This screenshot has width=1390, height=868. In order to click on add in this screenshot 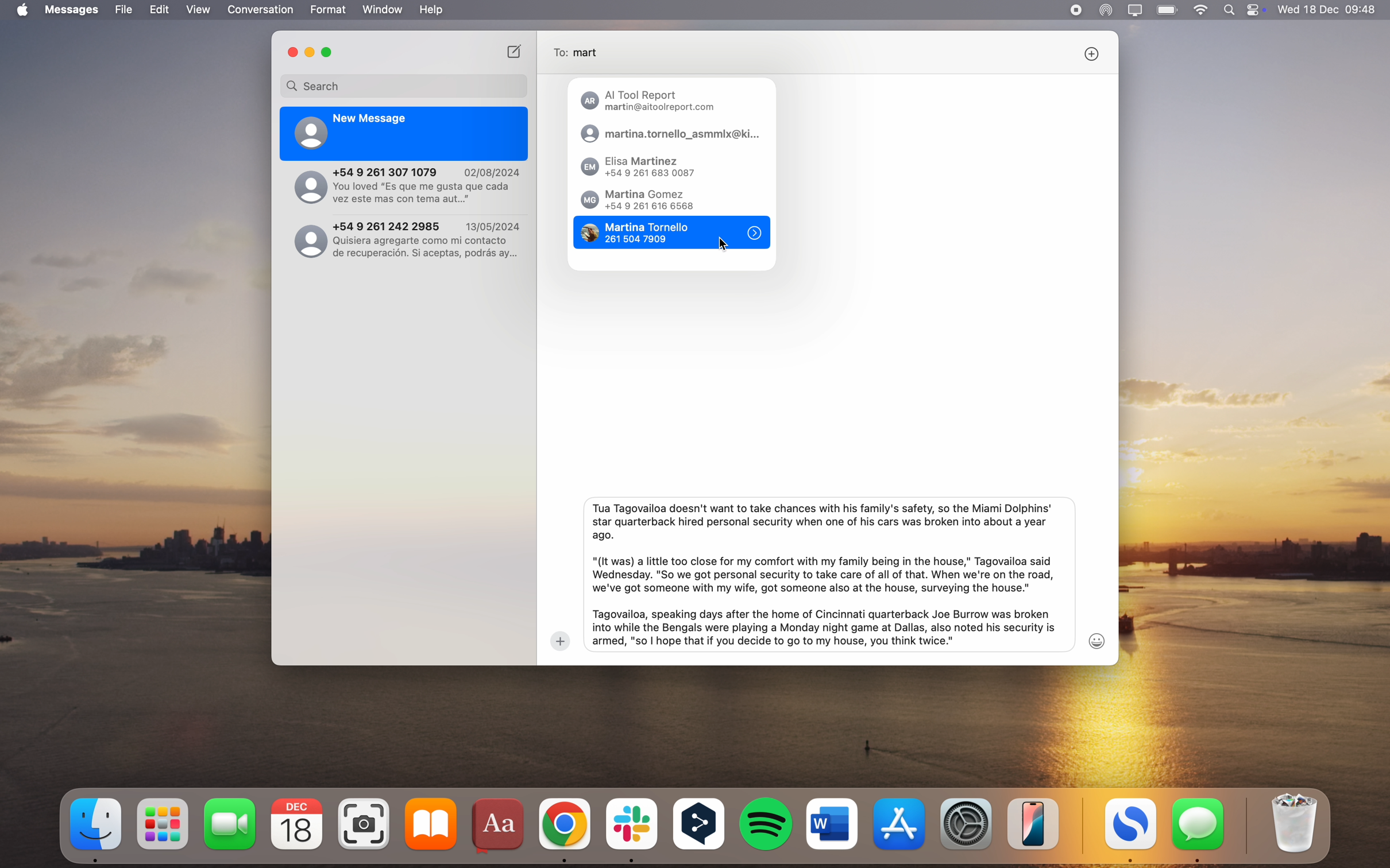, I will do `click(1091, 53)`.